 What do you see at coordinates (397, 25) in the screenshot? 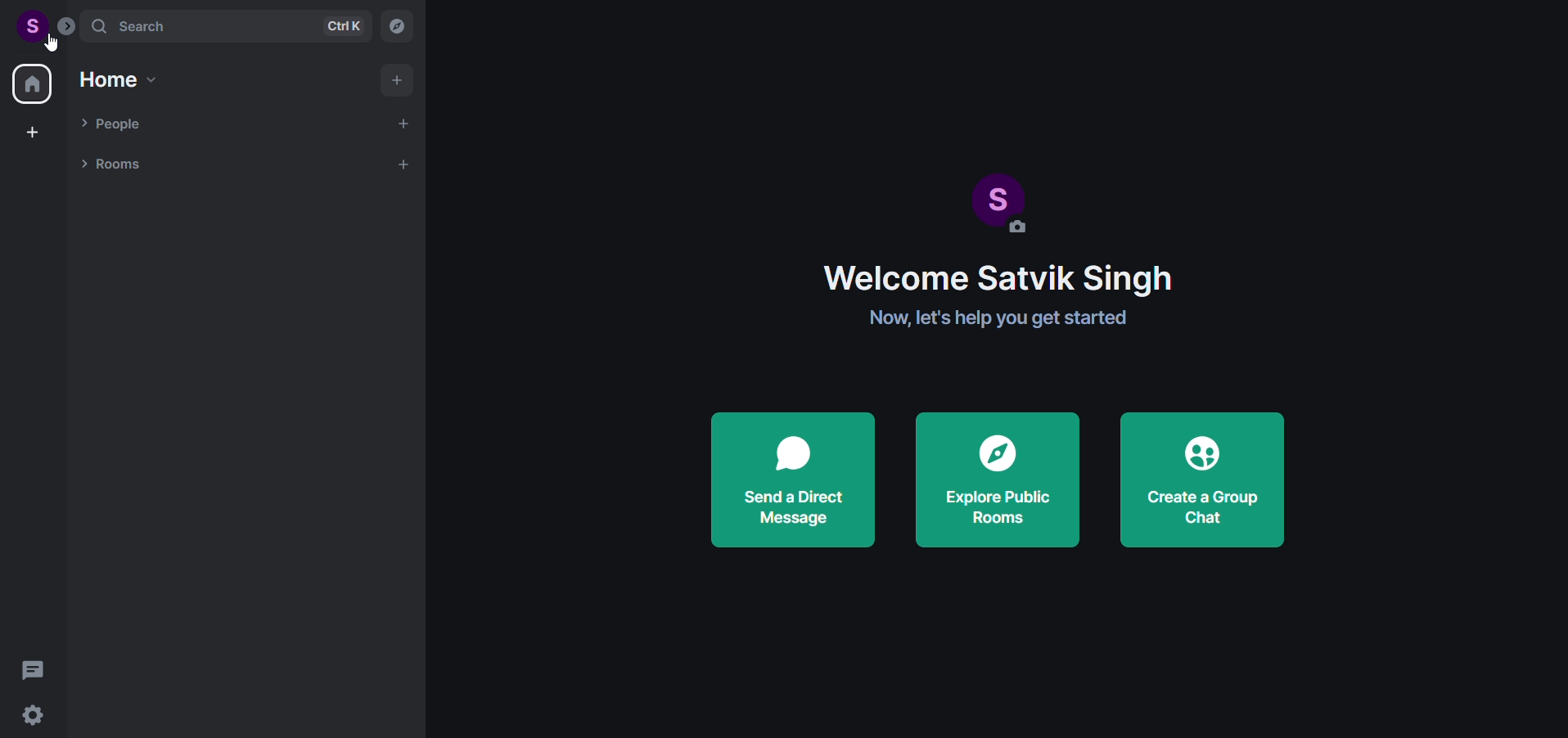
I see `explore room` at bounding box center [397, 25].